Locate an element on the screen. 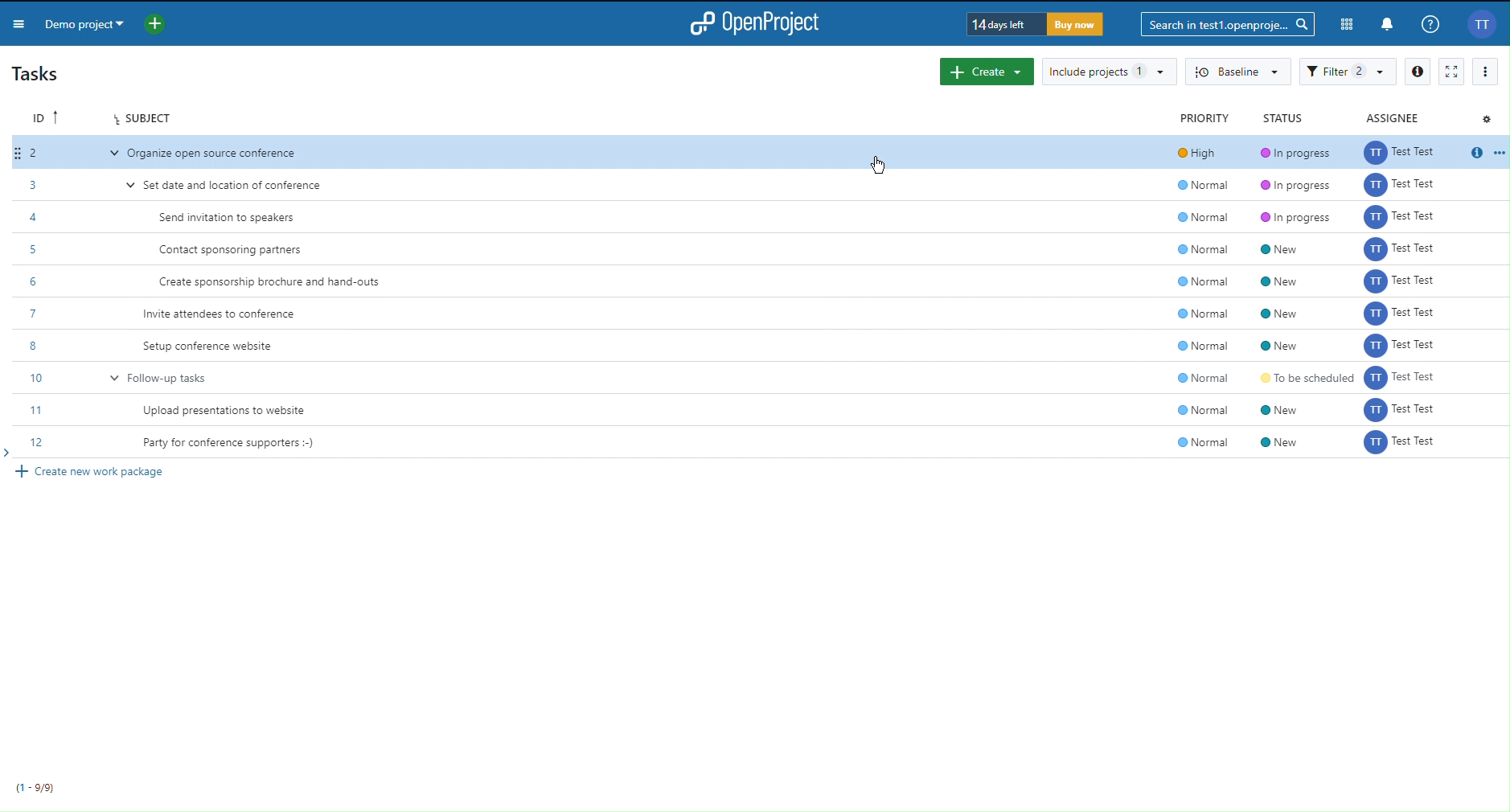  Cursor is located at coordinates (884, 166).